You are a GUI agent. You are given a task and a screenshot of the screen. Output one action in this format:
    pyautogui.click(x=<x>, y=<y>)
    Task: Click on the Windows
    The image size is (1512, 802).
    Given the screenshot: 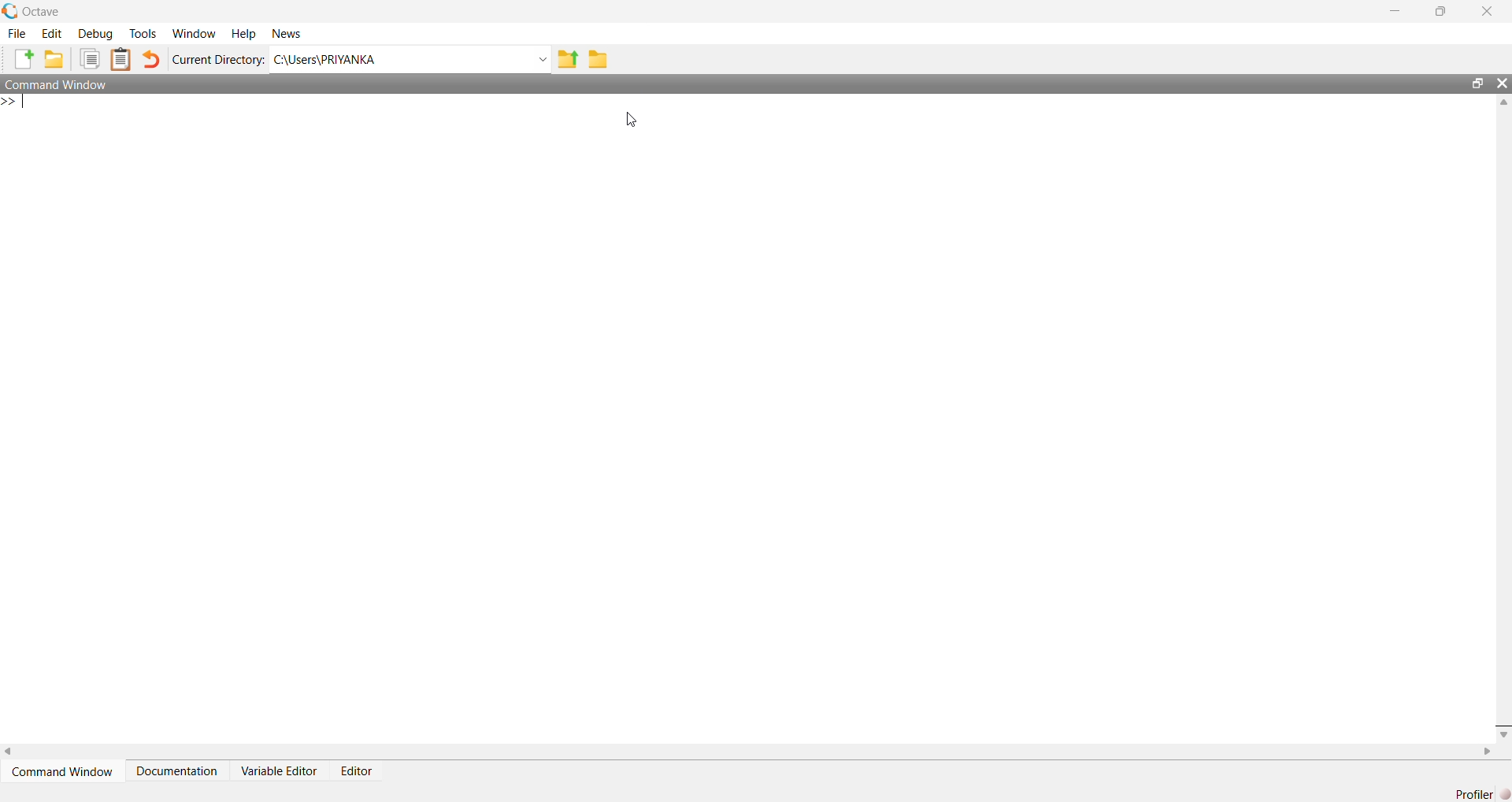 What is the action you would take?
    pyautogui.click(x=197, y=35)
    